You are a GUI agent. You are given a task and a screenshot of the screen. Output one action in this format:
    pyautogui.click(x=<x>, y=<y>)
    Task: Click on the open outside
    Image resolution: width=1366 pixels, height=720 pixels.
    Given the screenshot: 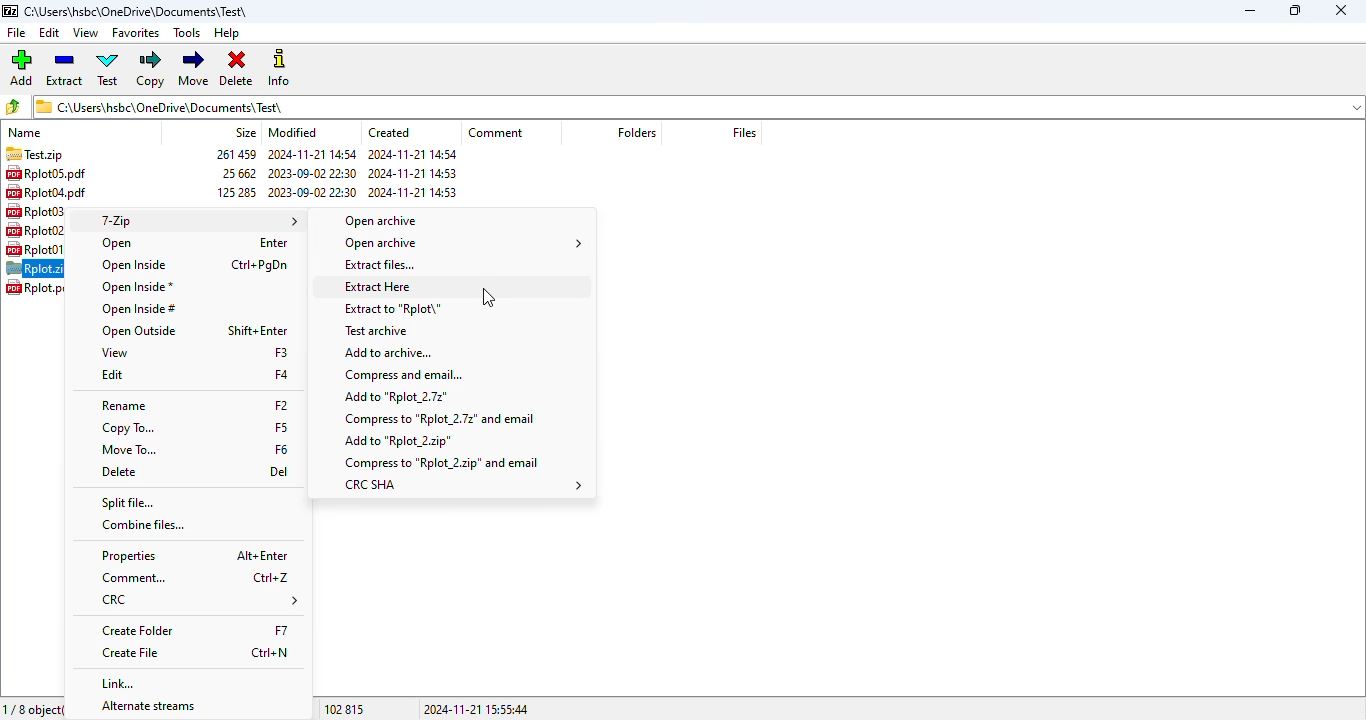 What is the action you would take?
    pyautogui.click(x=137, y=332)
    